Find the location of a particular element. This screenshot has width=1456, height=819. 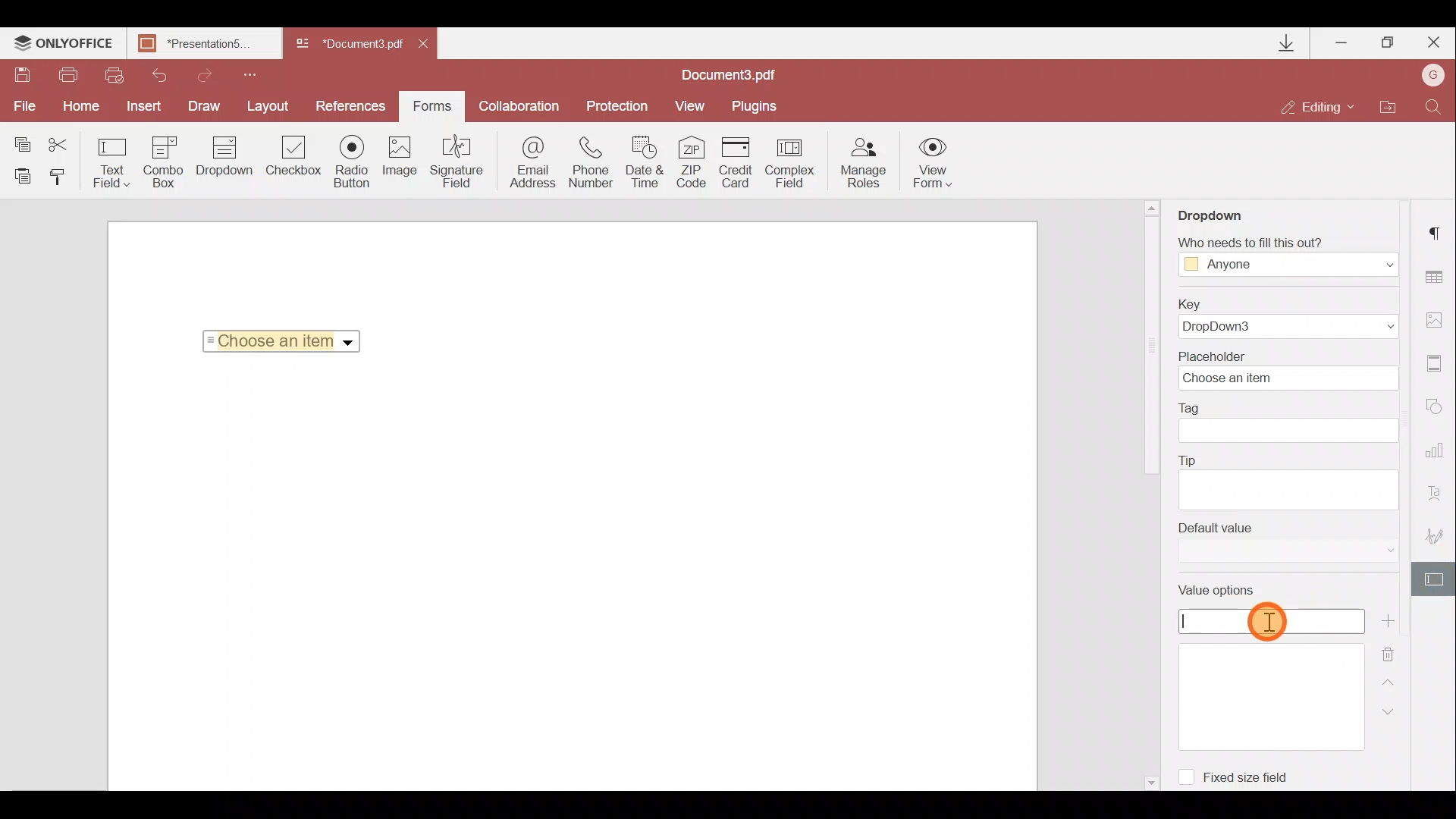

Shapes settings is located at coordinates (1439, 408).